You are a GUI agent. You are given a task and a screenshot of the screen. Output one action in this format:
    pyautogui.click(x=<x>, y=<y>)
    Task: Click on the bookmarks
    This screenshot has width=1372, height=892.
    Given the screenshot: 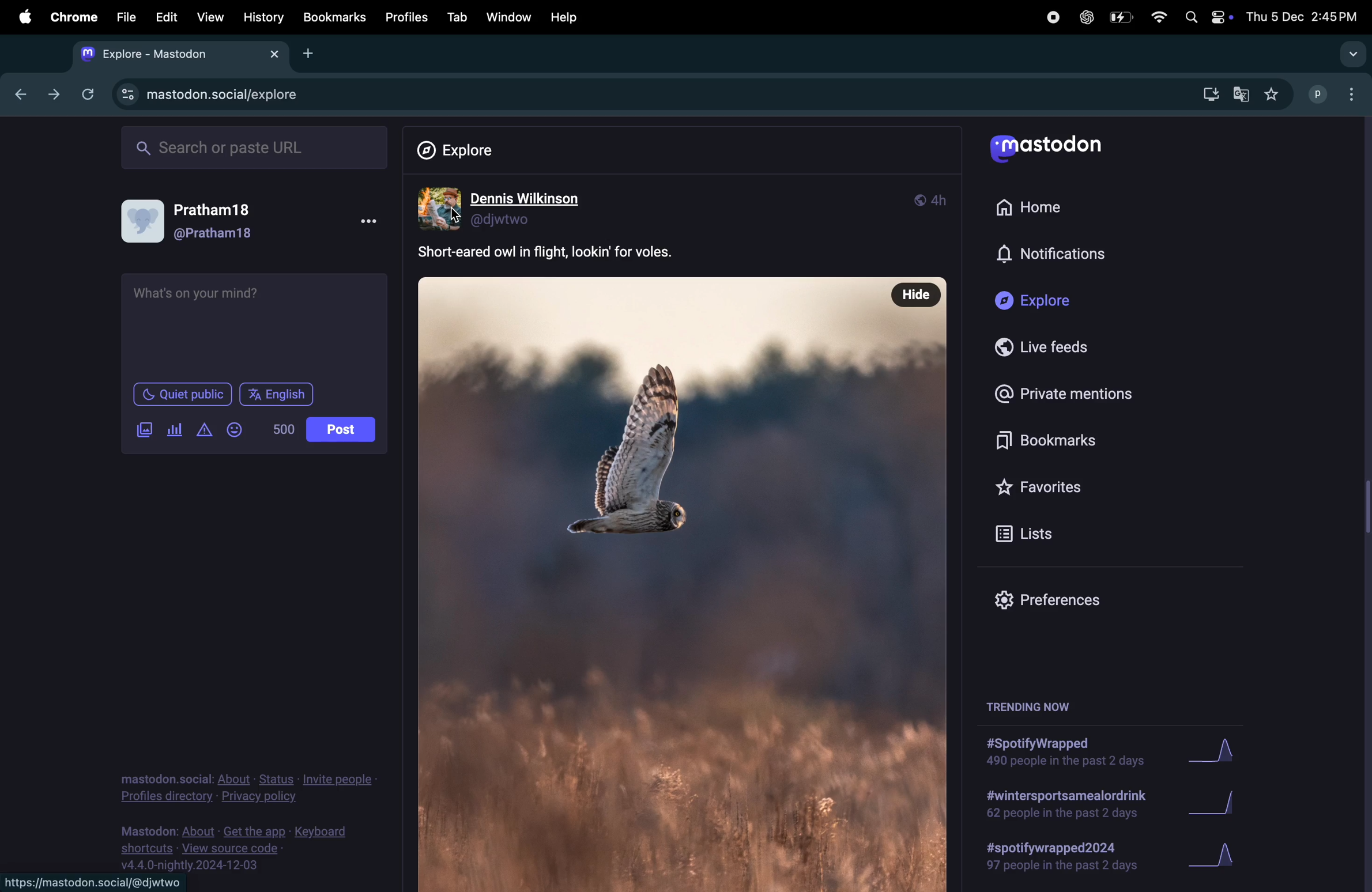 What is the action you would take?
    pyautogui.click(x=1046, y=440)
    